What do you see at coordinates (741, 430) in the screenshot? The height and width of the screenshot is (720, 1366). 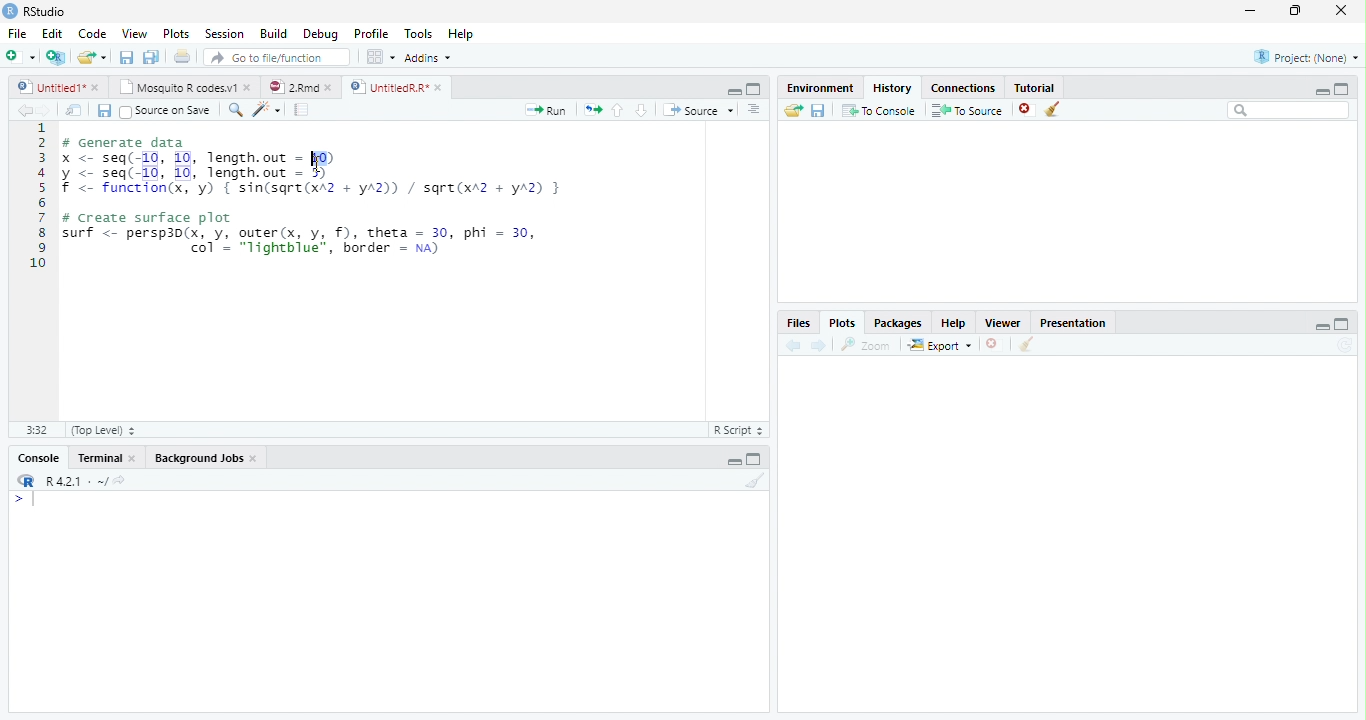 I see `R Script` at bounding box center [741, 430].